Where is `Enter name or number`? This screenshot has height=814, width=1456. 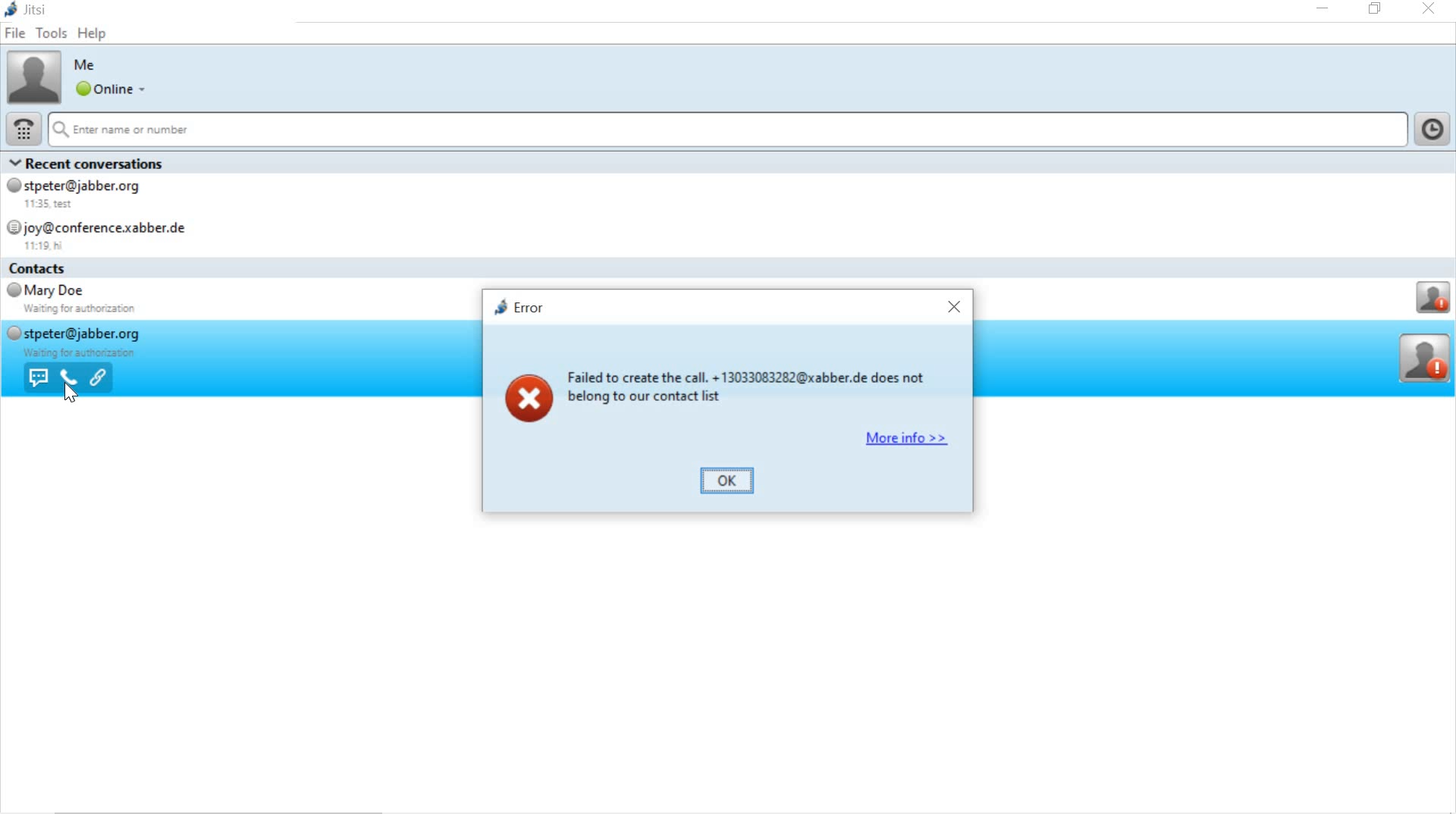
Enter name or number is located at coordinates (730, 130).